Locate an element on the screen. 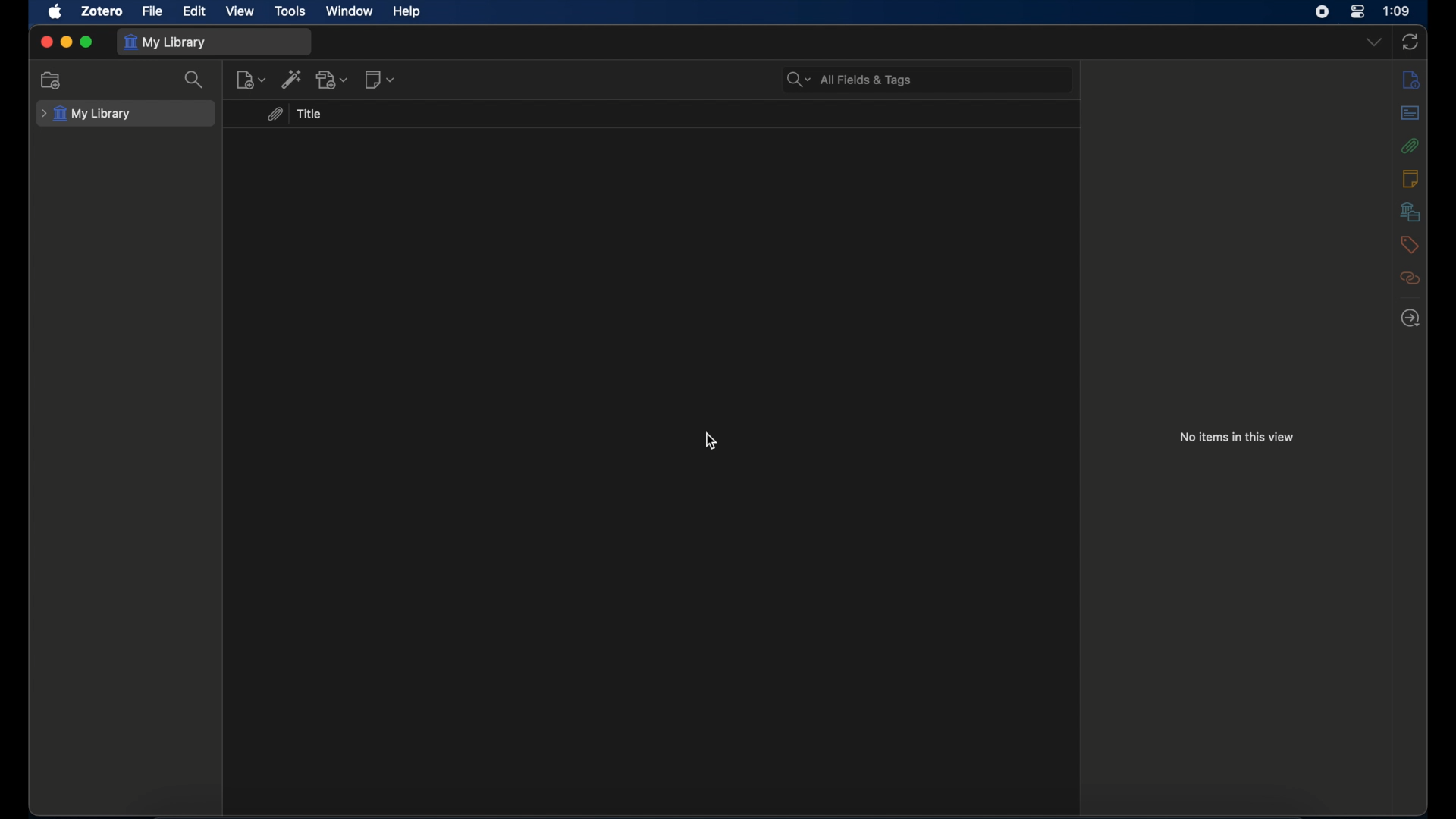  related is located at coordinates (1410, 278).